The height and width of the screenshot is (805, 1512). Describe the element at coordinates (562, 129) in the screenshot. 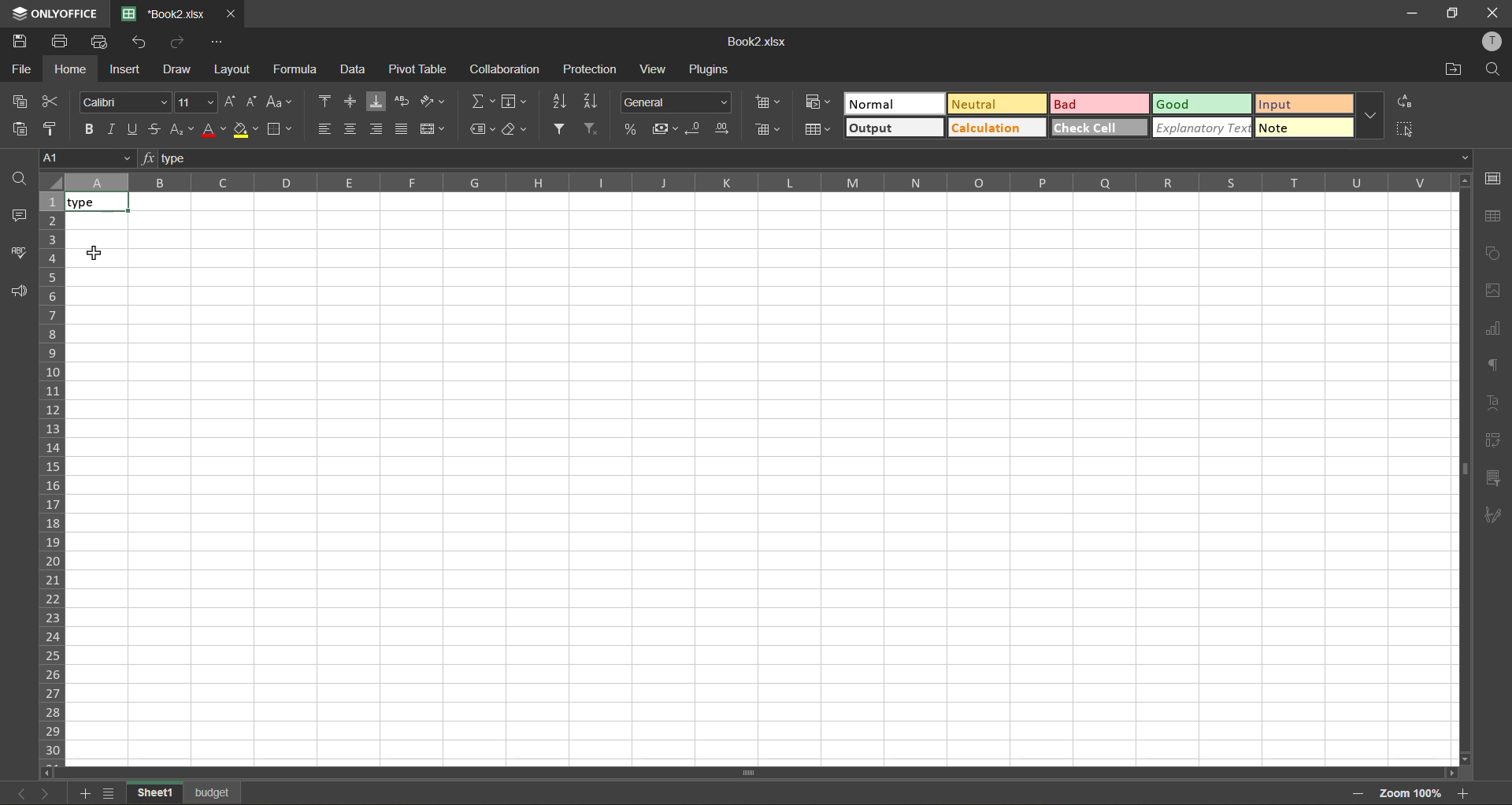

I see `filter` at that location.